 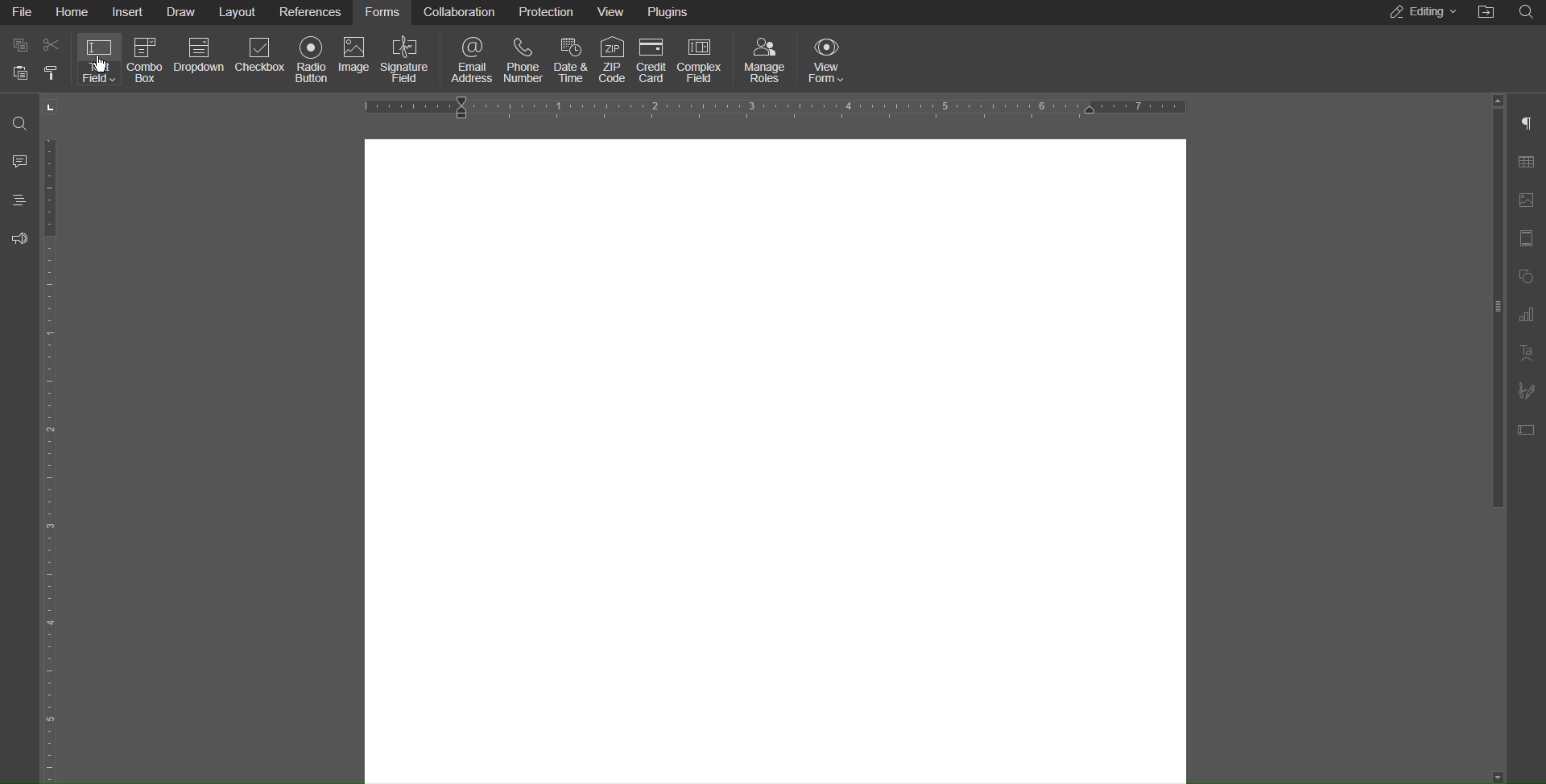 I want to click on Field Settings, so click(x=1530, y=431).